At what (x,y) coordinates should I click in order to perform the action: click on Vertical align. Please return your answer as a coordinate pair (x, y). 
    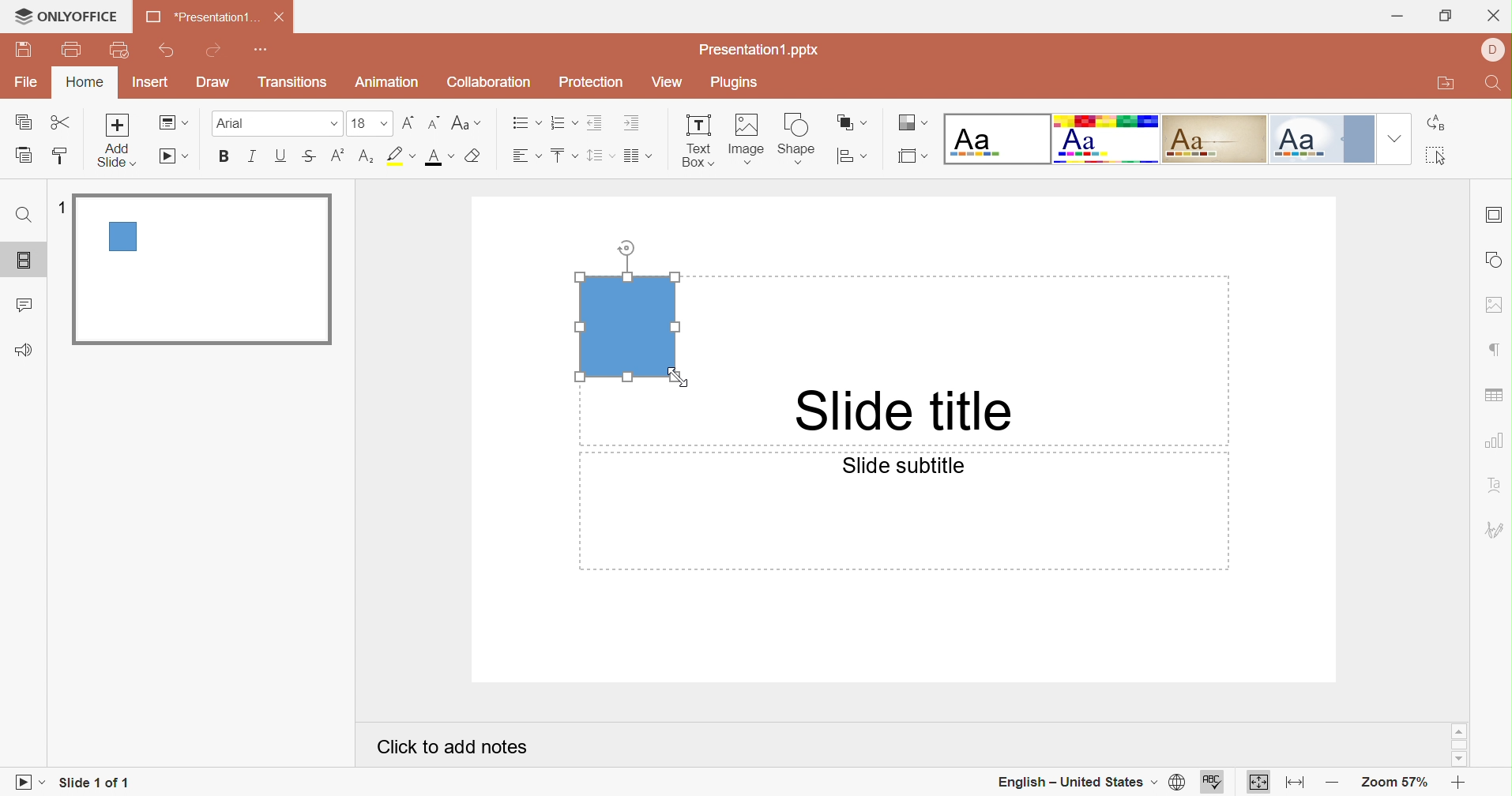
    Looking at the image, I should click on (564, 156).